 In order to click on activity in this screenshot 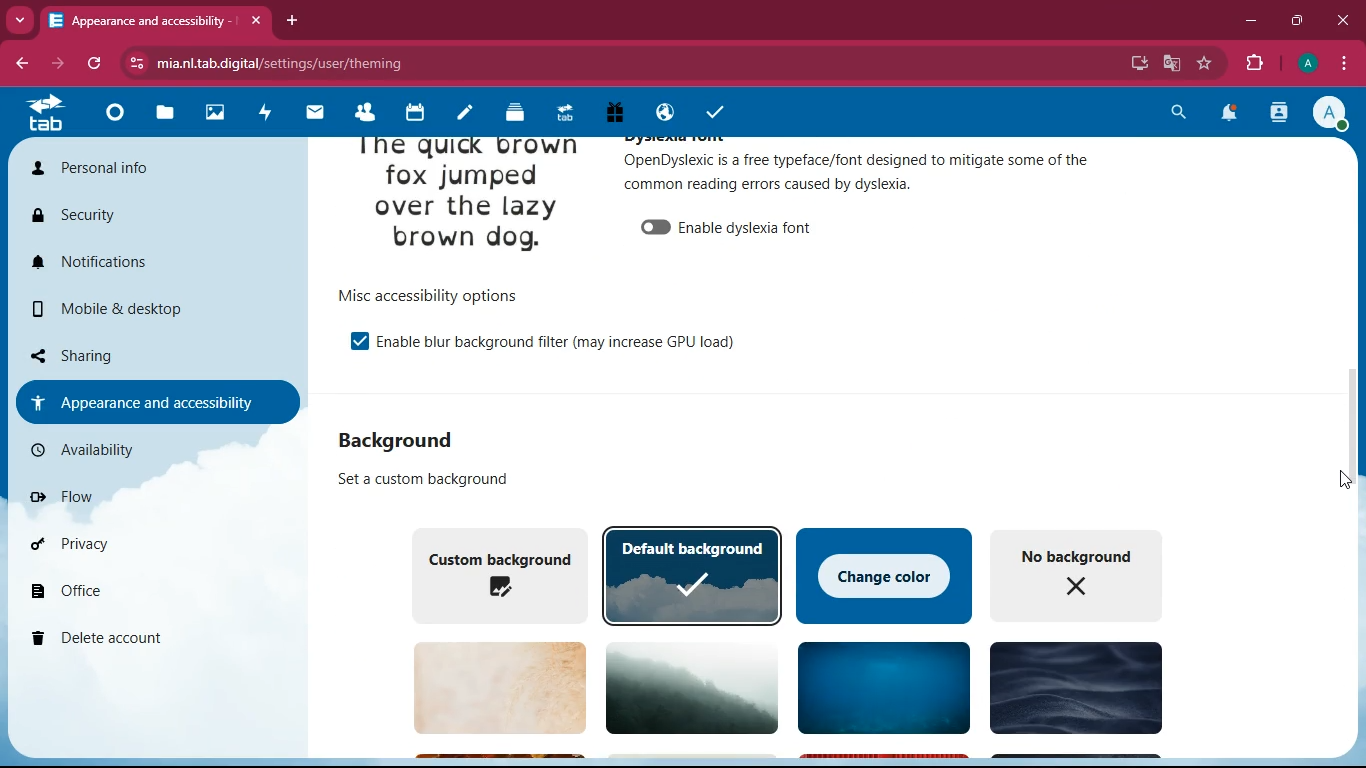, I will do `click(265, 111)`.